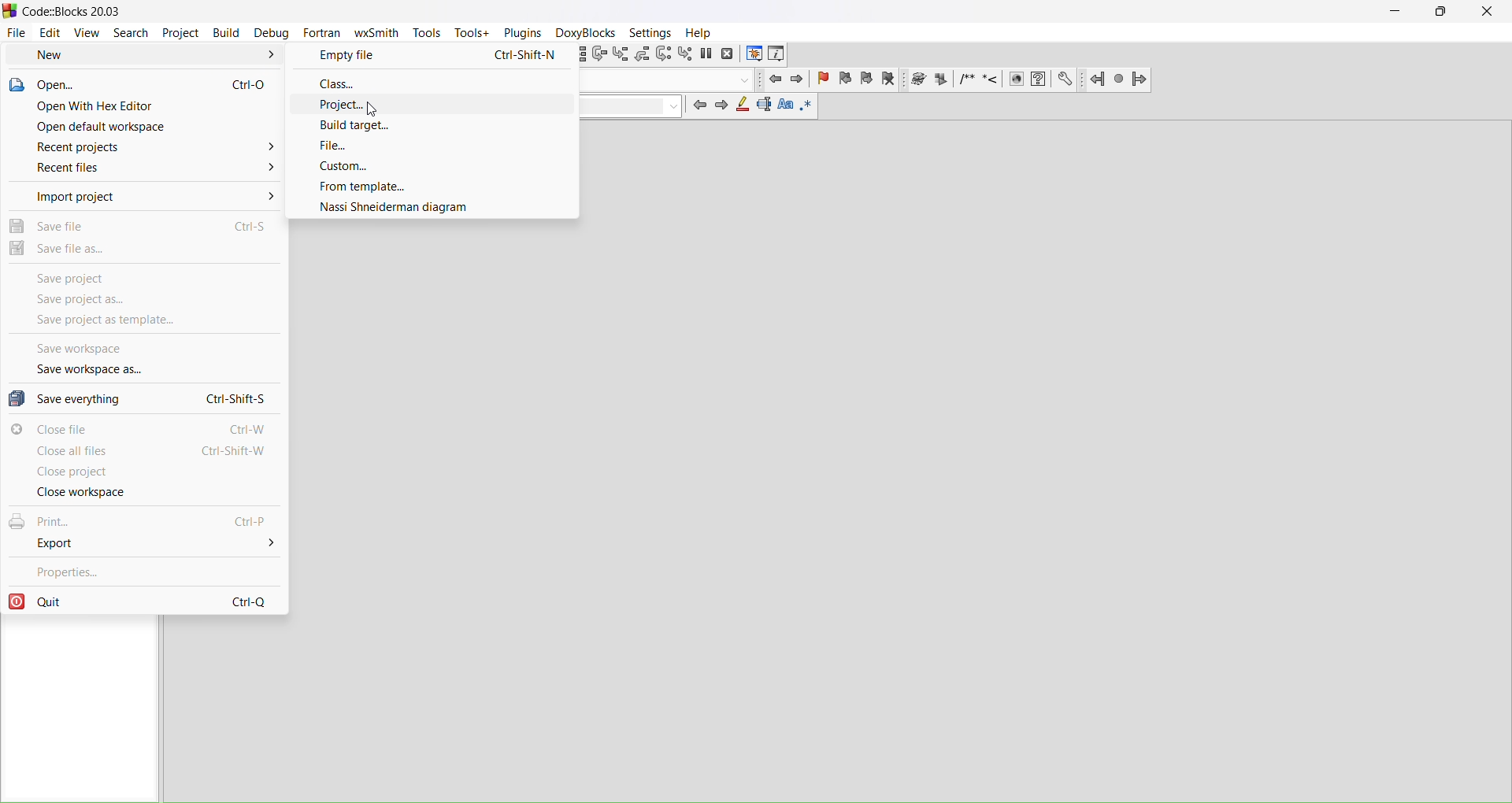 Image resolution: width=1512 pixels, height=803 pixels. Describe the element at coordinates (179, 35) in the screenshot. I see `project` at that location.